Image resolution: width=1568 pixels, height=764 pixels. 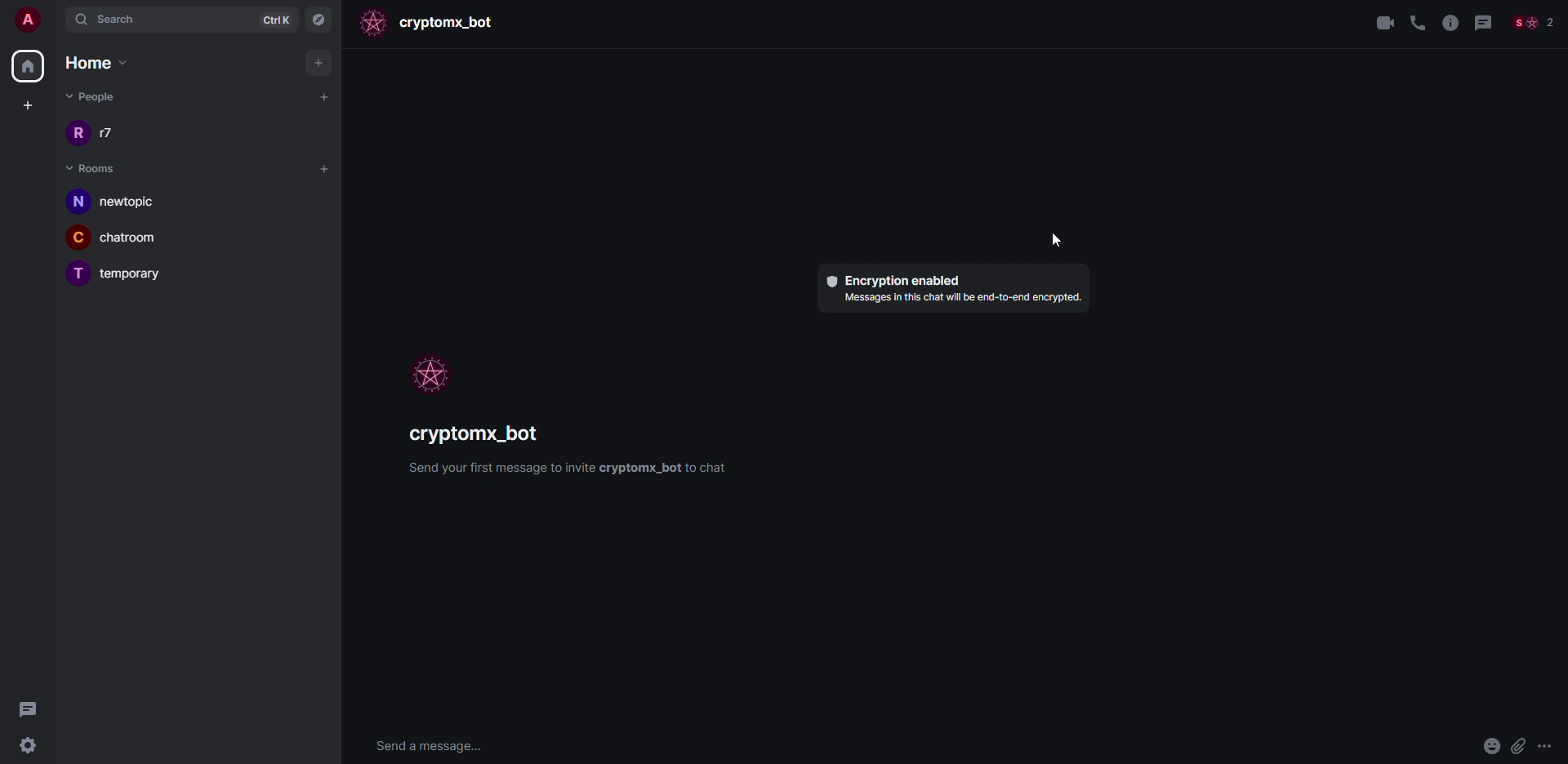 What do you see at coordinates (1383, 22) in the screenshot?
I see `video call` at bounding box center [1383, 22].